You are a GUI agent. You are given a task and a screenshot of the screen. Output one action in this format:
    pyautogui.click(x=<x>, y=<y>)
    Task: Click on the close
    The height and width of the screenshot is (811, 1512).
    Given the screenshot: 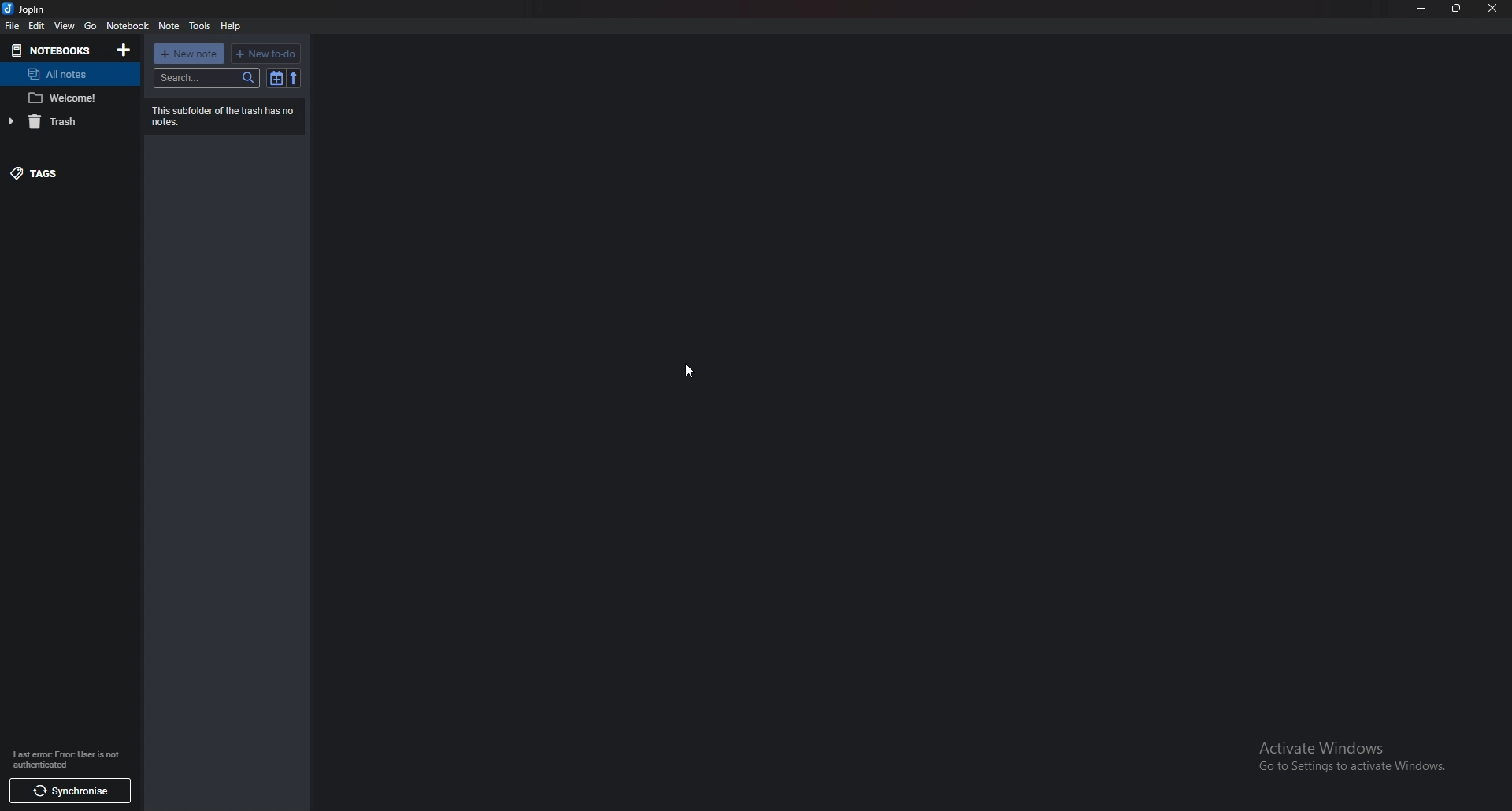 What is the action you would take?
    pyautogui.click(x=1493, y=9)
    